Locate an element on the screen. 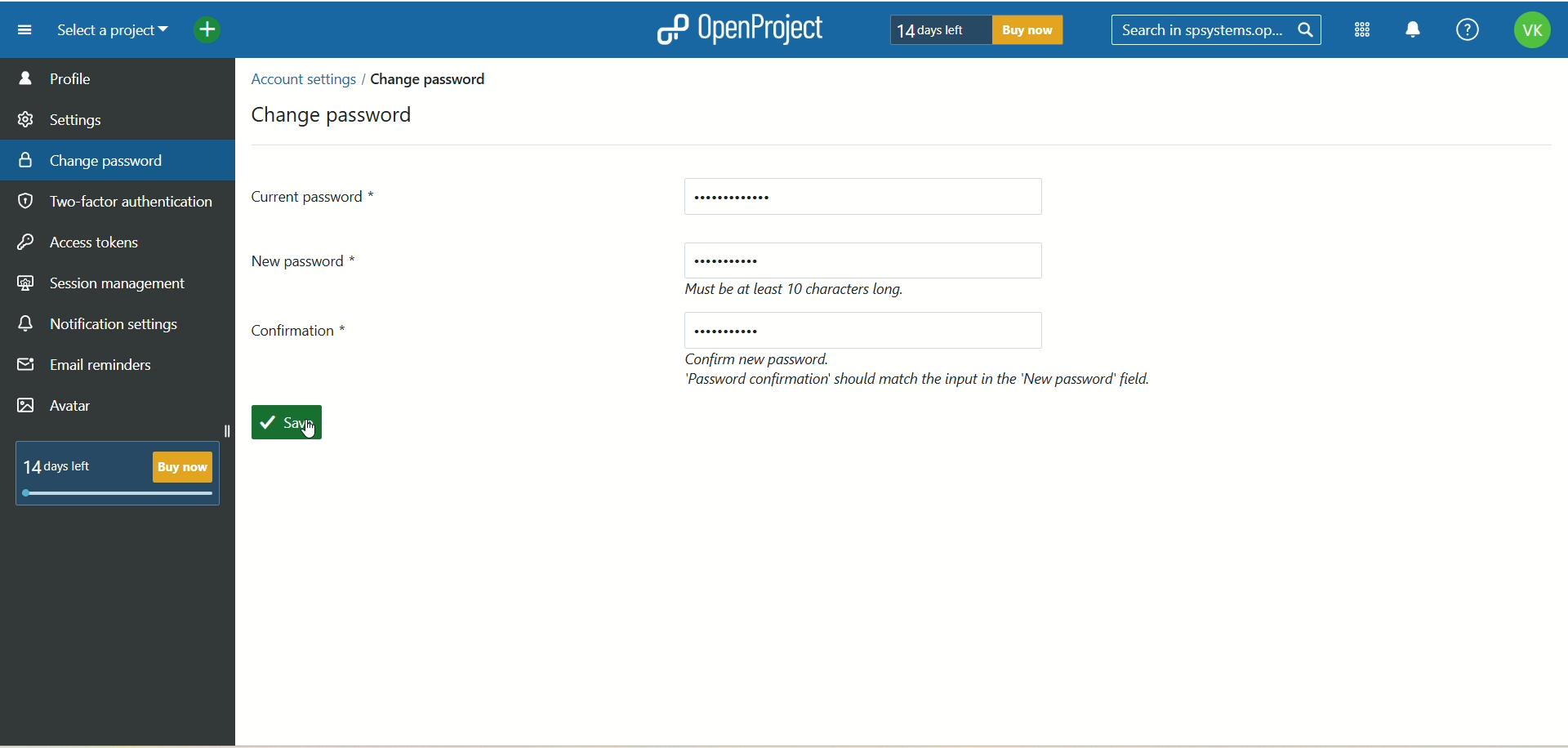 The height and width of the screenshot is (748, 1568). two factor authentication is located at coordinates (122, 203).